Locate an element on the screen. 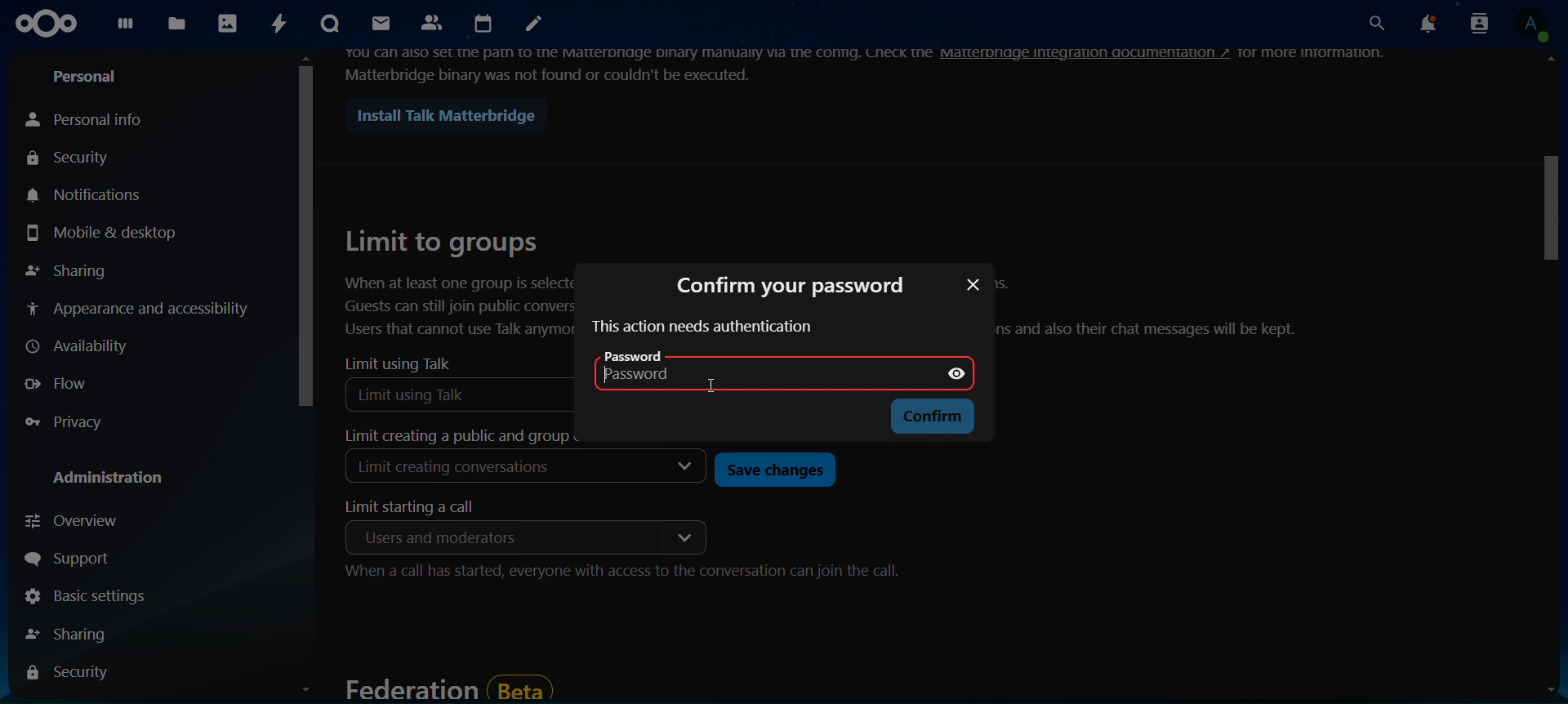 Image resolution: width=1568 pixels, height=704 pixels. install talk matterbridge is located at coordinates (439, 116).